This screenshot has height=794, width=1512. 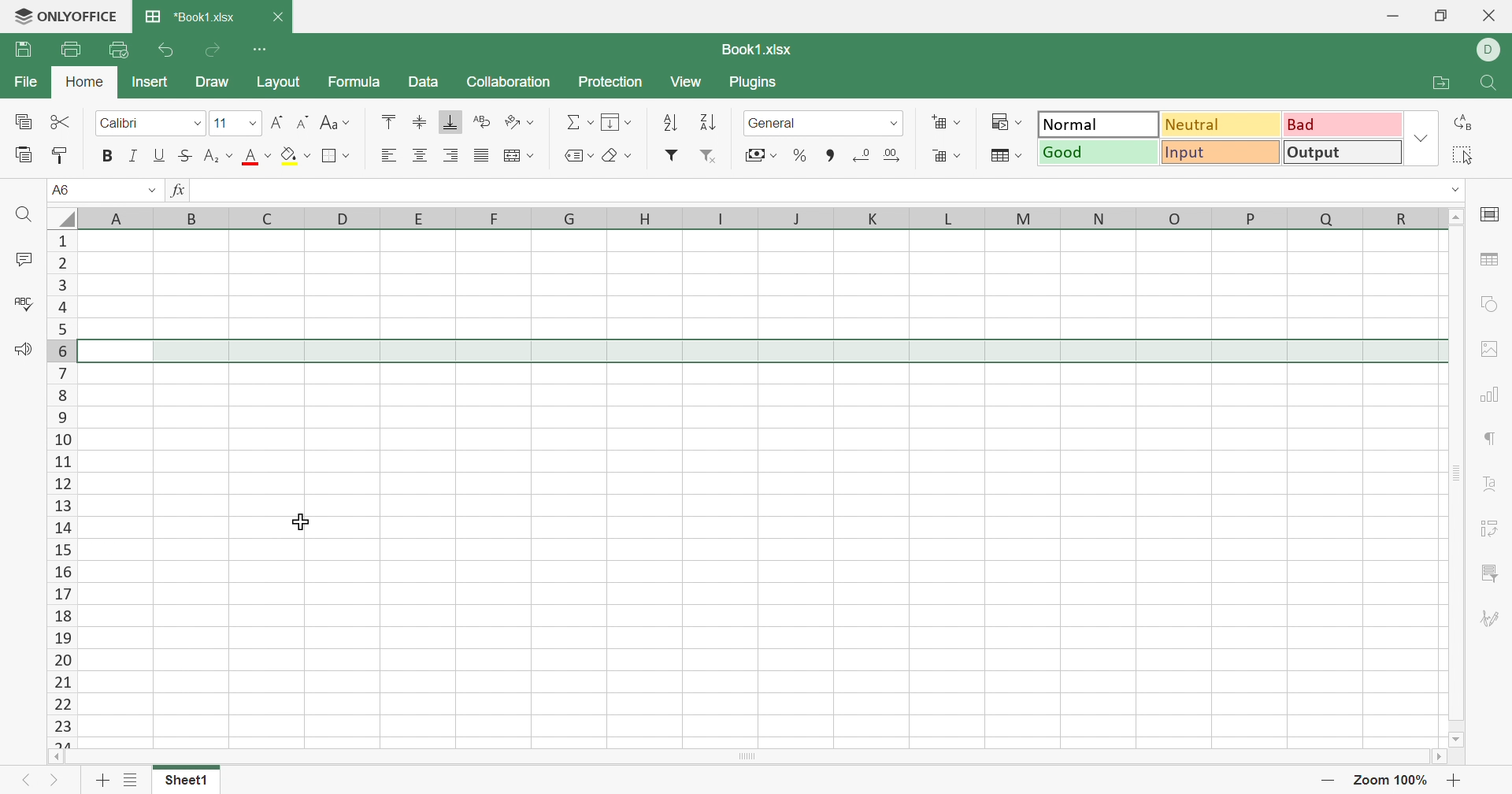 I want to click on Add Sheet, so click(x=102, y=781).